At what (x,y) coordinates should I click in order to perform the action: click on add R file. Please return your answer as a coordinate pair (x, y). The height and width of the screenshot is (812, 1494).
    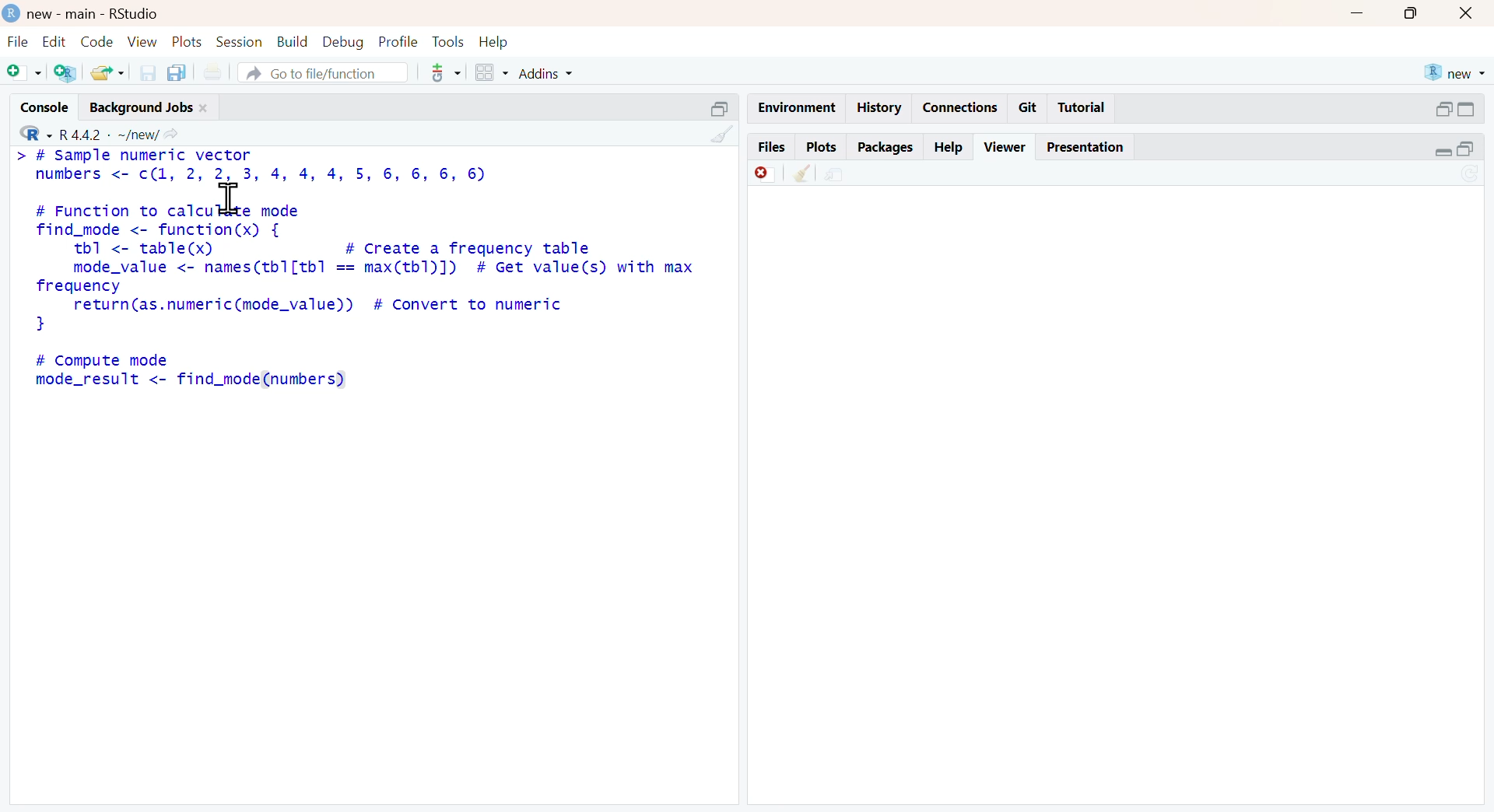
    Looking at the image, I should click on (67, 73).